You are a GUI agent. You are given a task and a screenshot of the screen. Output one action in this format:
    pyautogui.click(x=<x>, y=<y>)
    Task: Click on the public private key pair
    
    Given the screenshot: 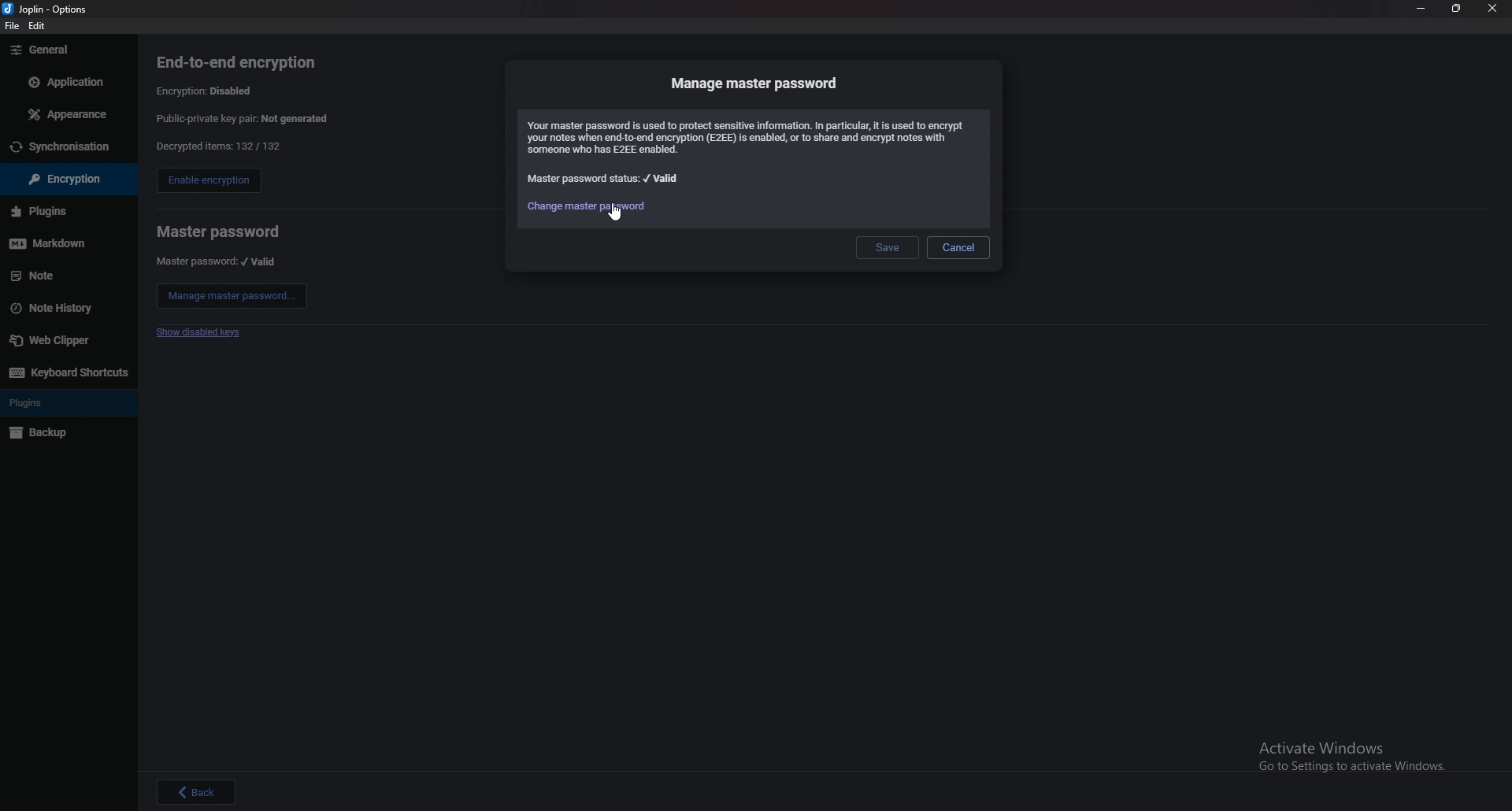 What is the action you would take?
    pyautogui.click(x=254, y=118)
    